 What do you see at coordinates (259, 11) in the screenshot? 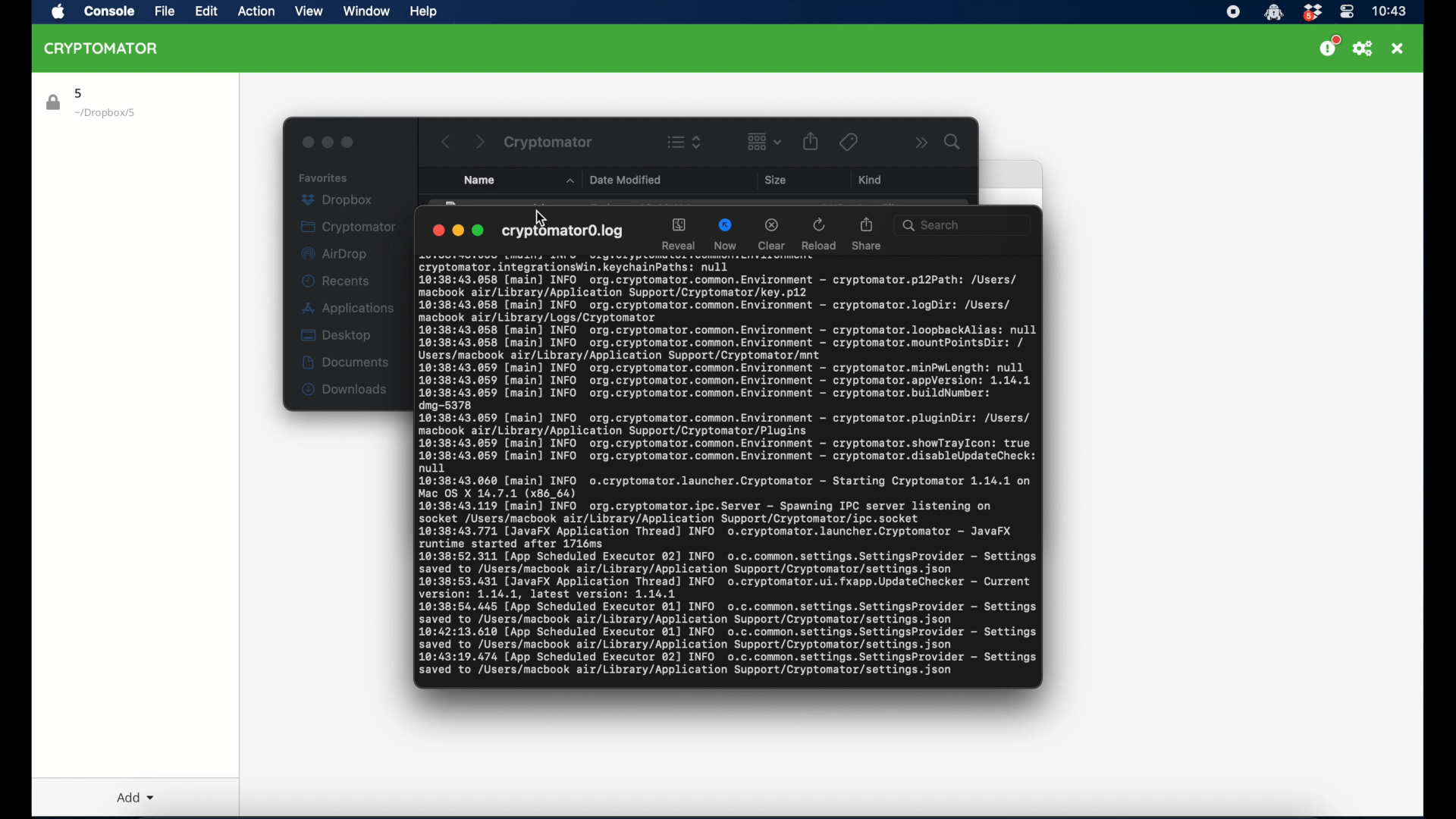
I see `action` at bounding box center [259, 11].